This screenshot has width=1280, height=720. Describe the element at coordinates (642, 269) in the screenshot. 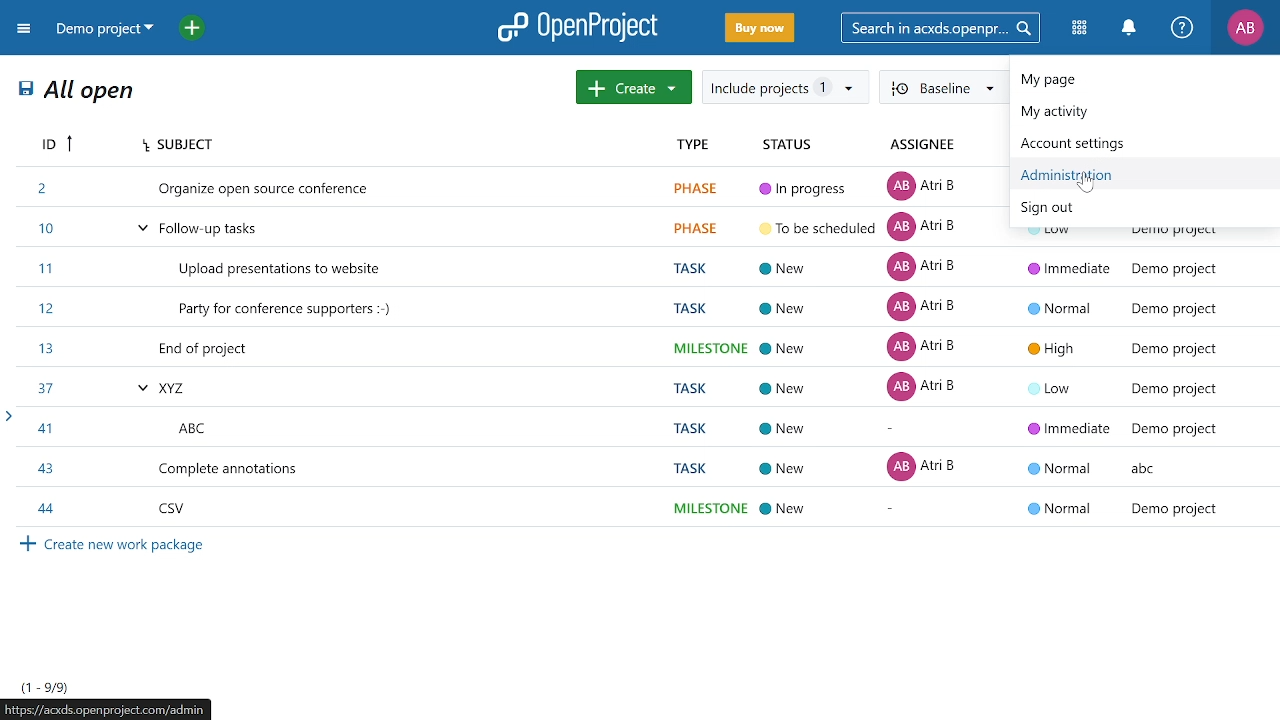

I see `task titled "Updated presentations to website"` at that location.